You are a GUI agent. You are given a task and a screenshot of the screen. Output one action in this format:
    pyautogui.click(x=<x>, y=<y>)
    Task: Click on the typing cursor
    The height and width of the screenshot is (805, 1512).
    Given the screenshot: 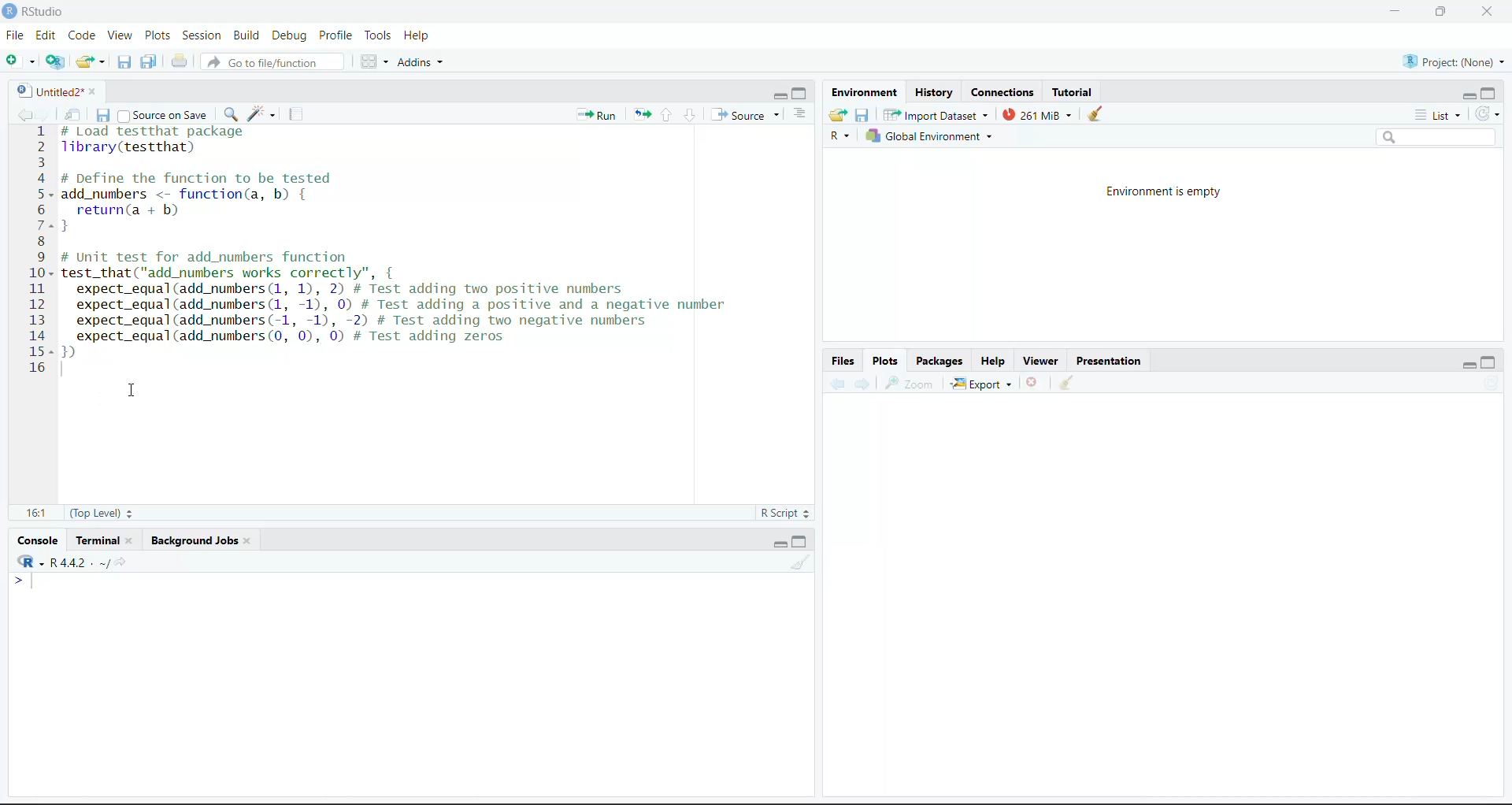 What is the action you would take?
    pyautogui.click(x=27, y=583)
    